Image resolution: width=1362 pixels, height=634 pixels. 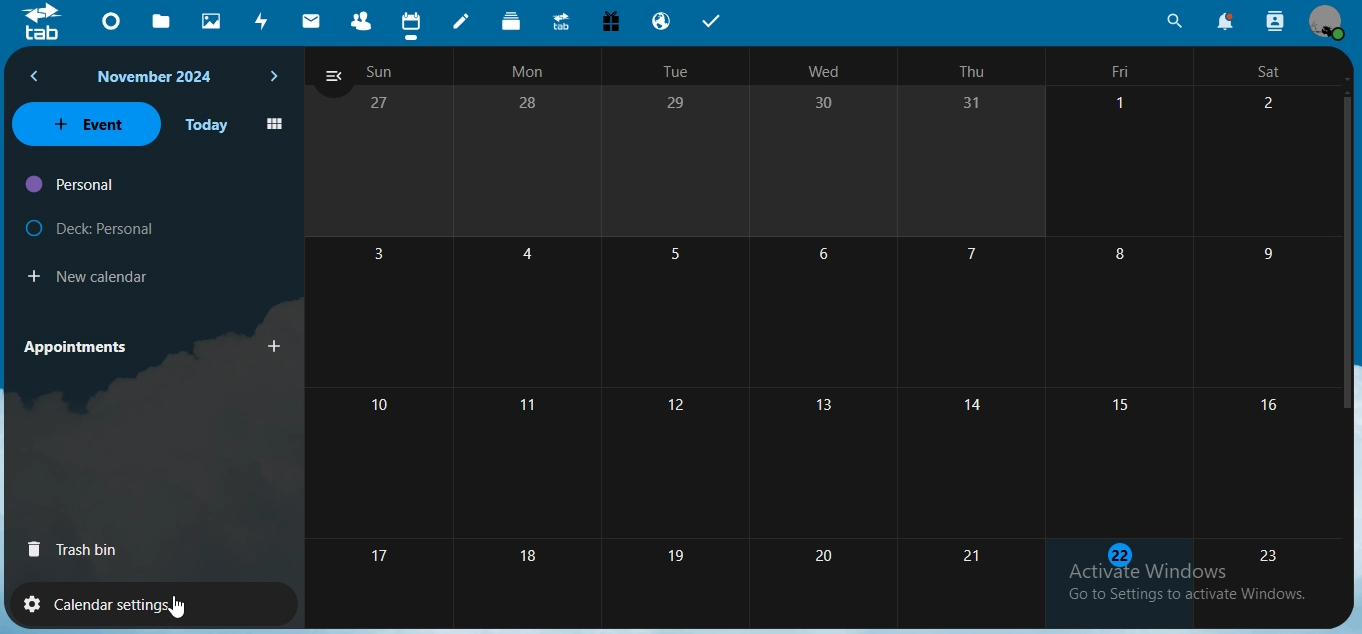 I want to click on tasks, so click(x=715, y=22).